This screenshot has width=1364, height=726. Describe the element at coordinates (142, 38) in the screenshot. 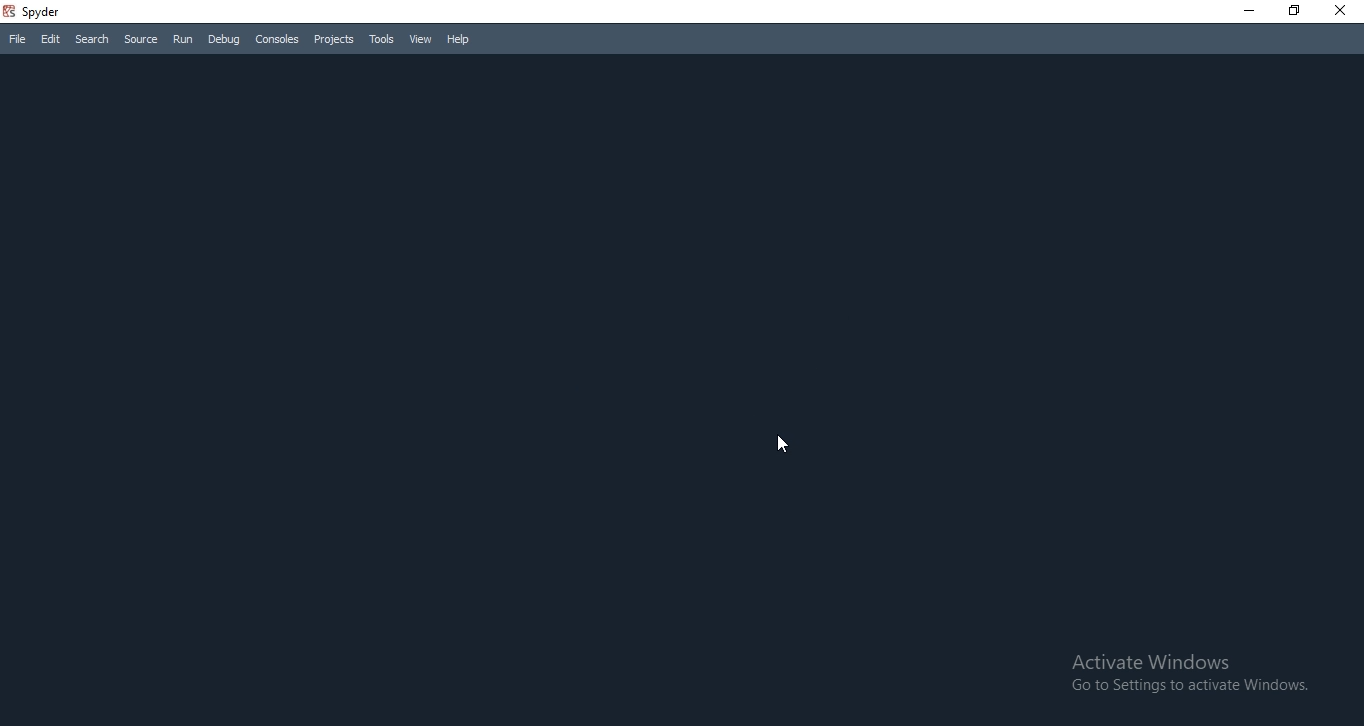

I see `Source` at that location.